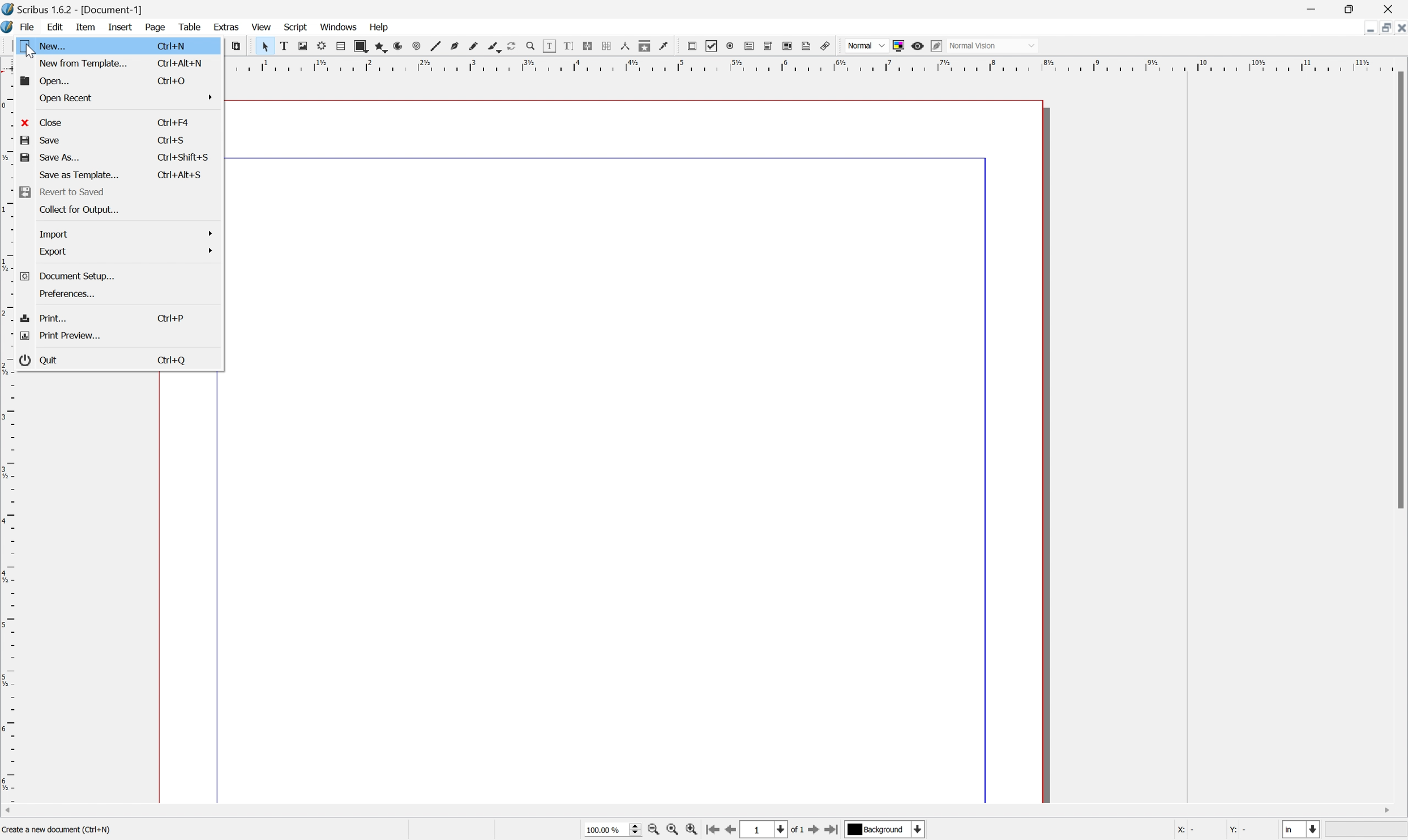 This screenshot has height=840, width=1408. I want to click on ctrl+f4, so click(174, 122).